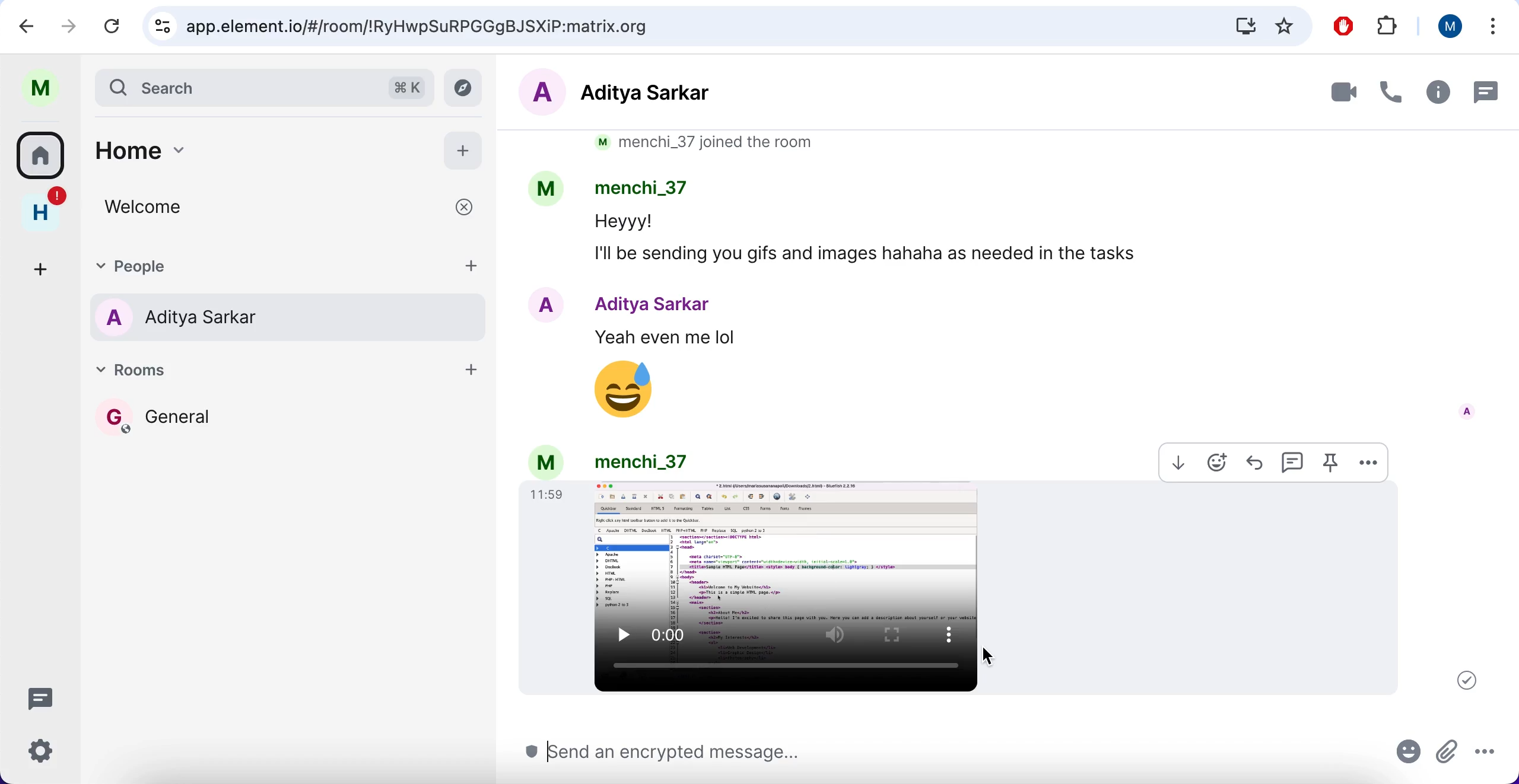  Describe the element at coordinates (725, 27) in the screenshot. I see `google search` at that location.